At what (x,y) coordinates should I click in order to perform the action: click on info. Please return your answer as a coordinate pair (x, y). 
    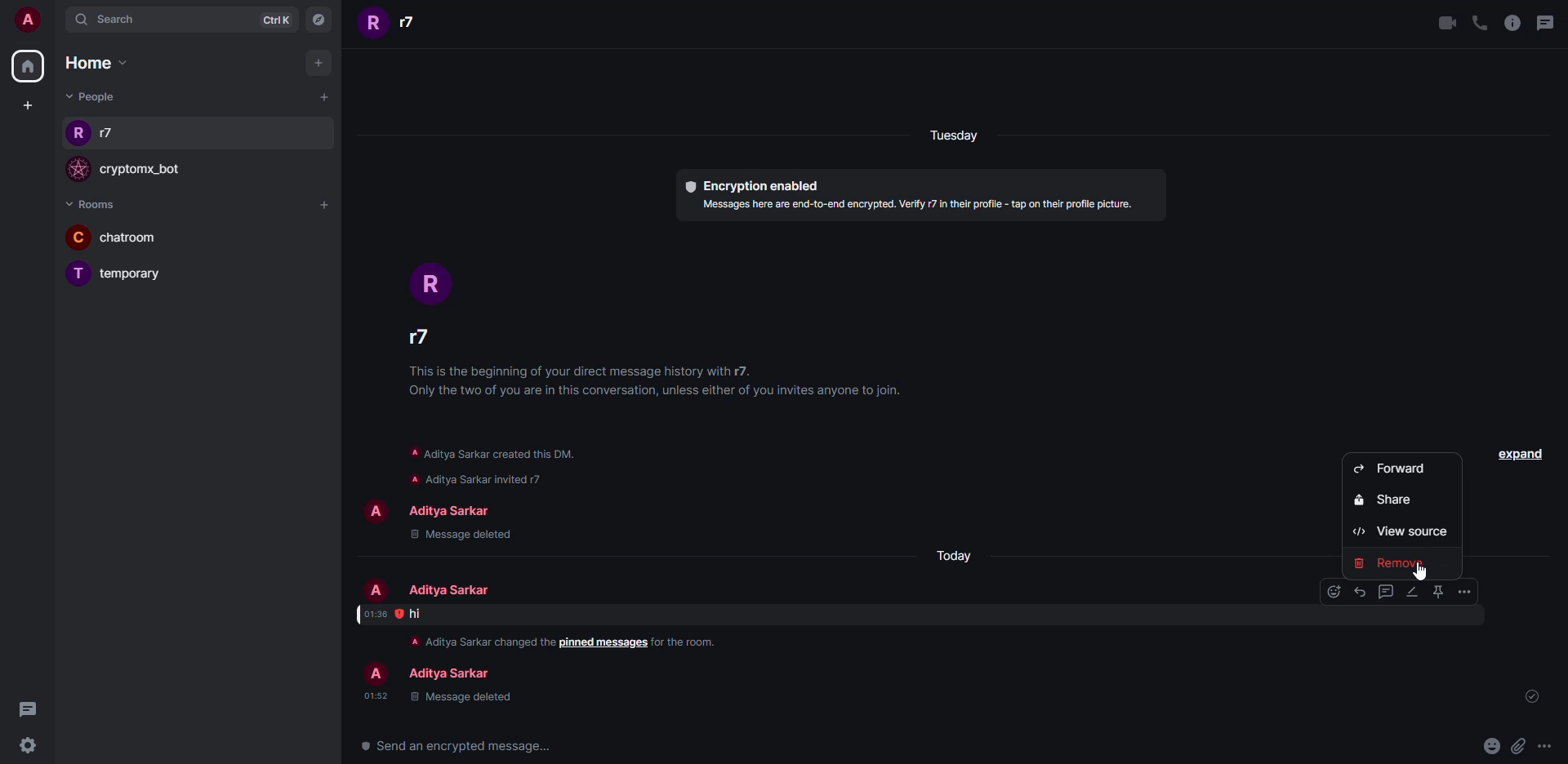
    Looking at the image, I should click on (661, 383).